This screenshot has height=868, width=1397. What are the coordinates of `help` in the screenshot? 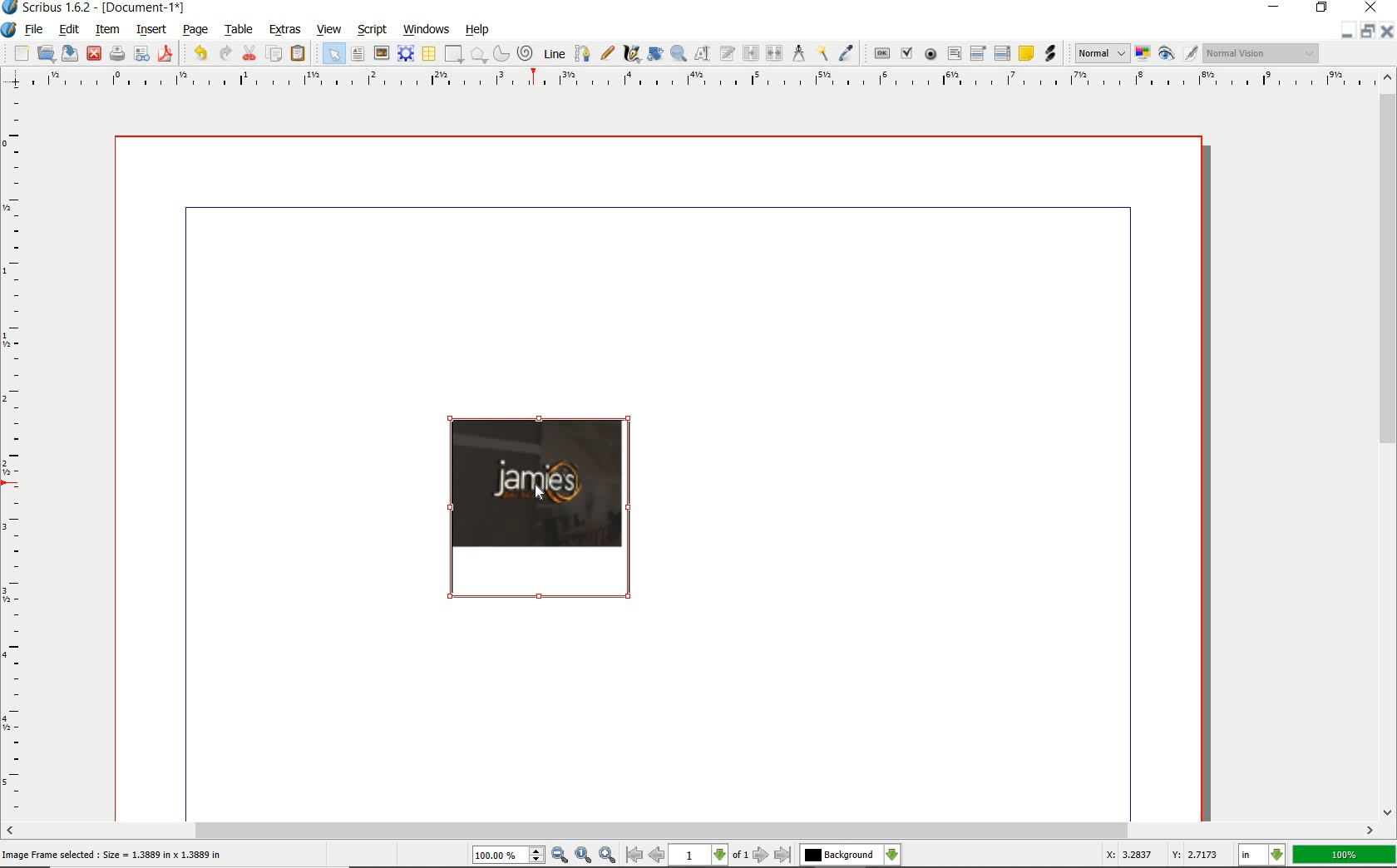 It's located at (480, 30).